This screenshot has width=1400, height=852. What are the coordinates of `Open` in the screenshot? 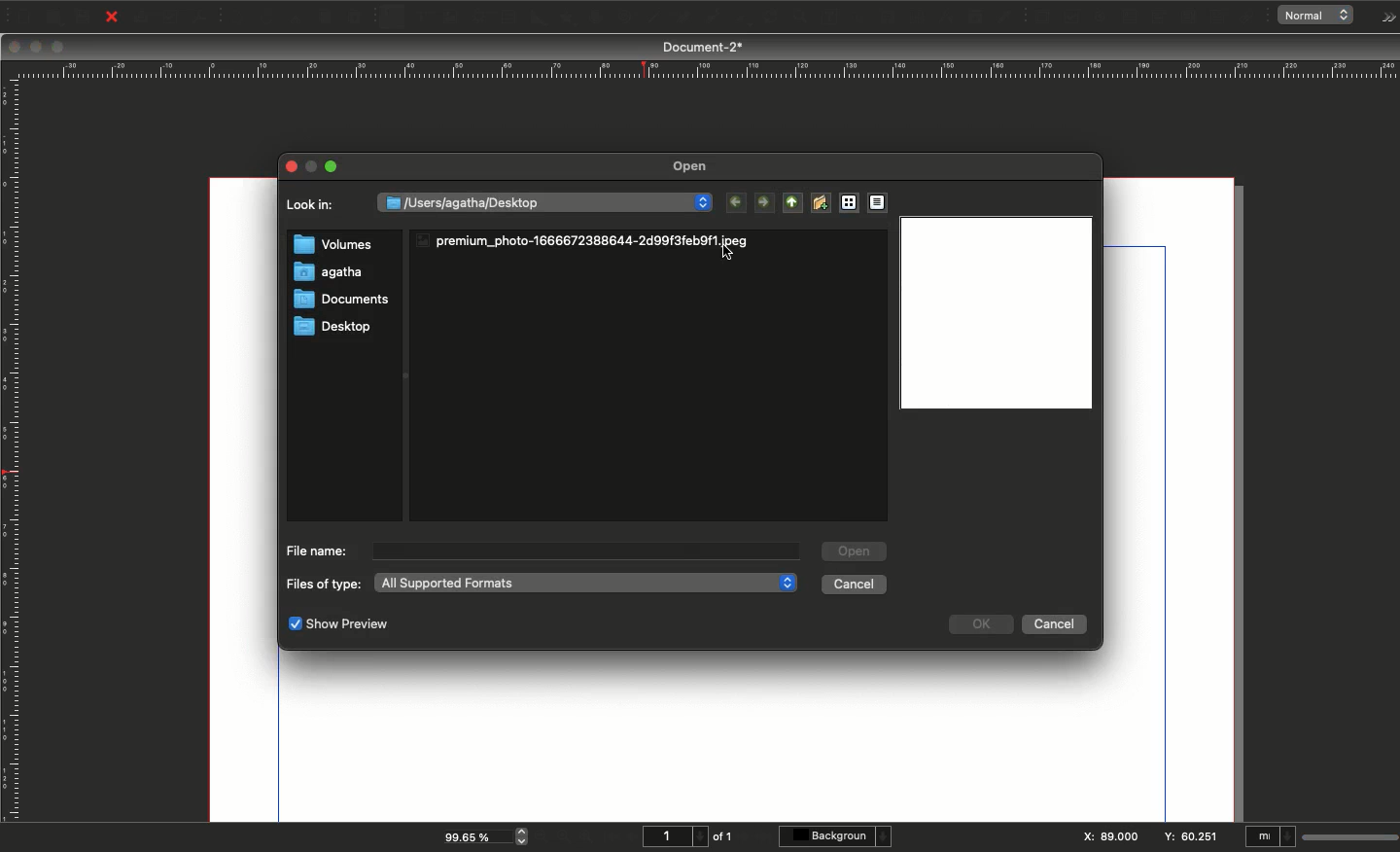 It's located at (694, 167).